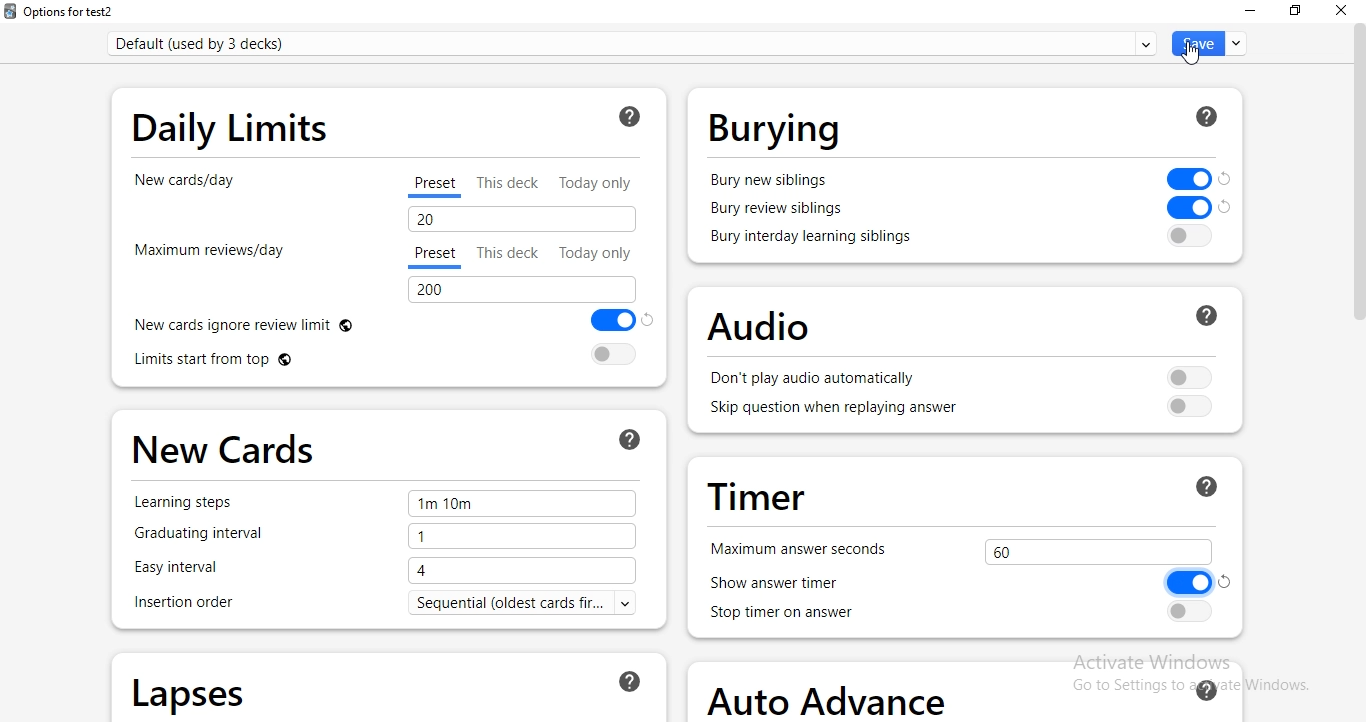 Image resolution: width=1366 pixels, height=722 pixels. What do you see at coordinates (61, 12) in the screenshot?
I see `options for test2` at bounding box center [61, 12].